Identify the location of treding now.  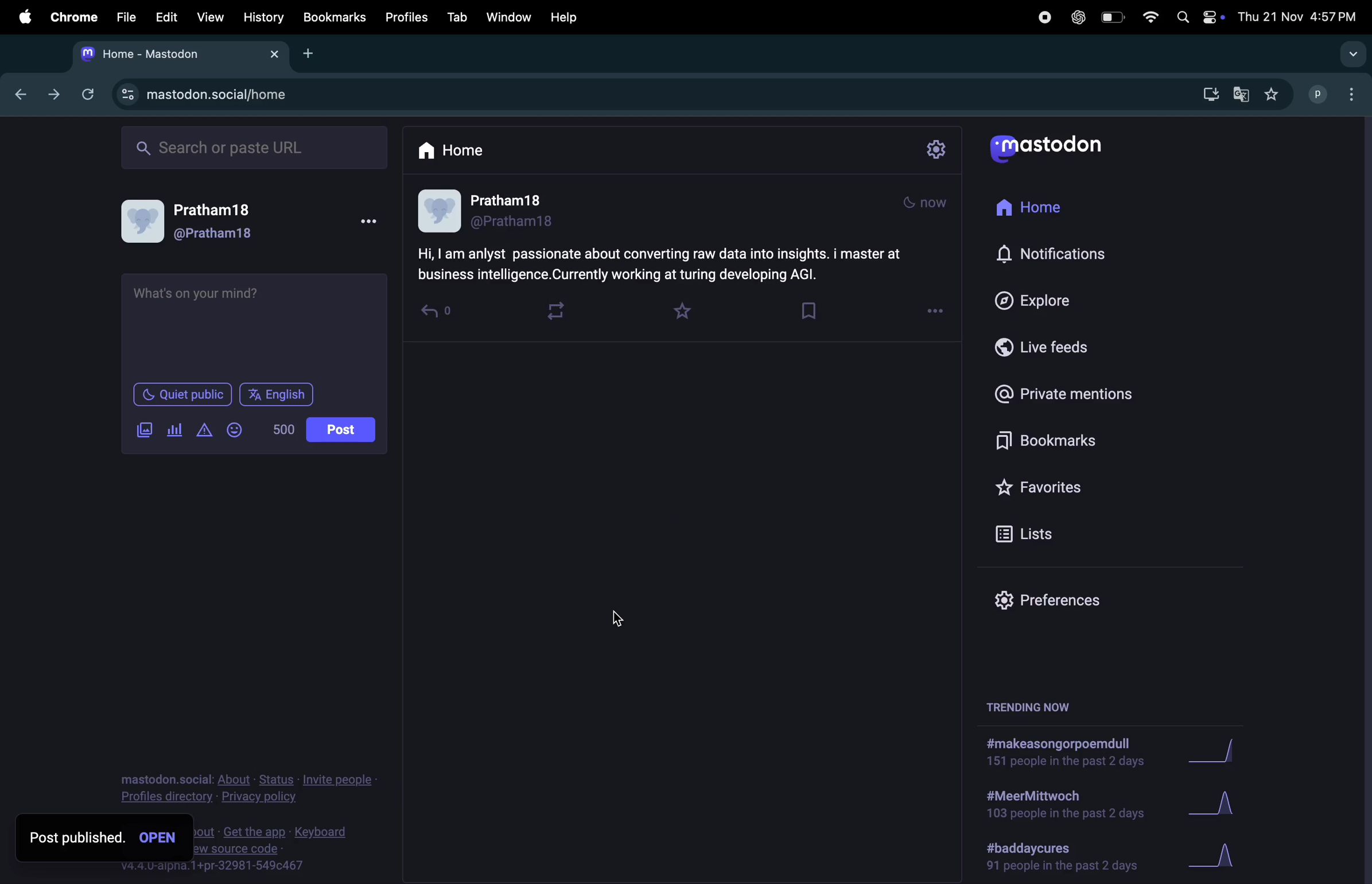
(1030, 707).